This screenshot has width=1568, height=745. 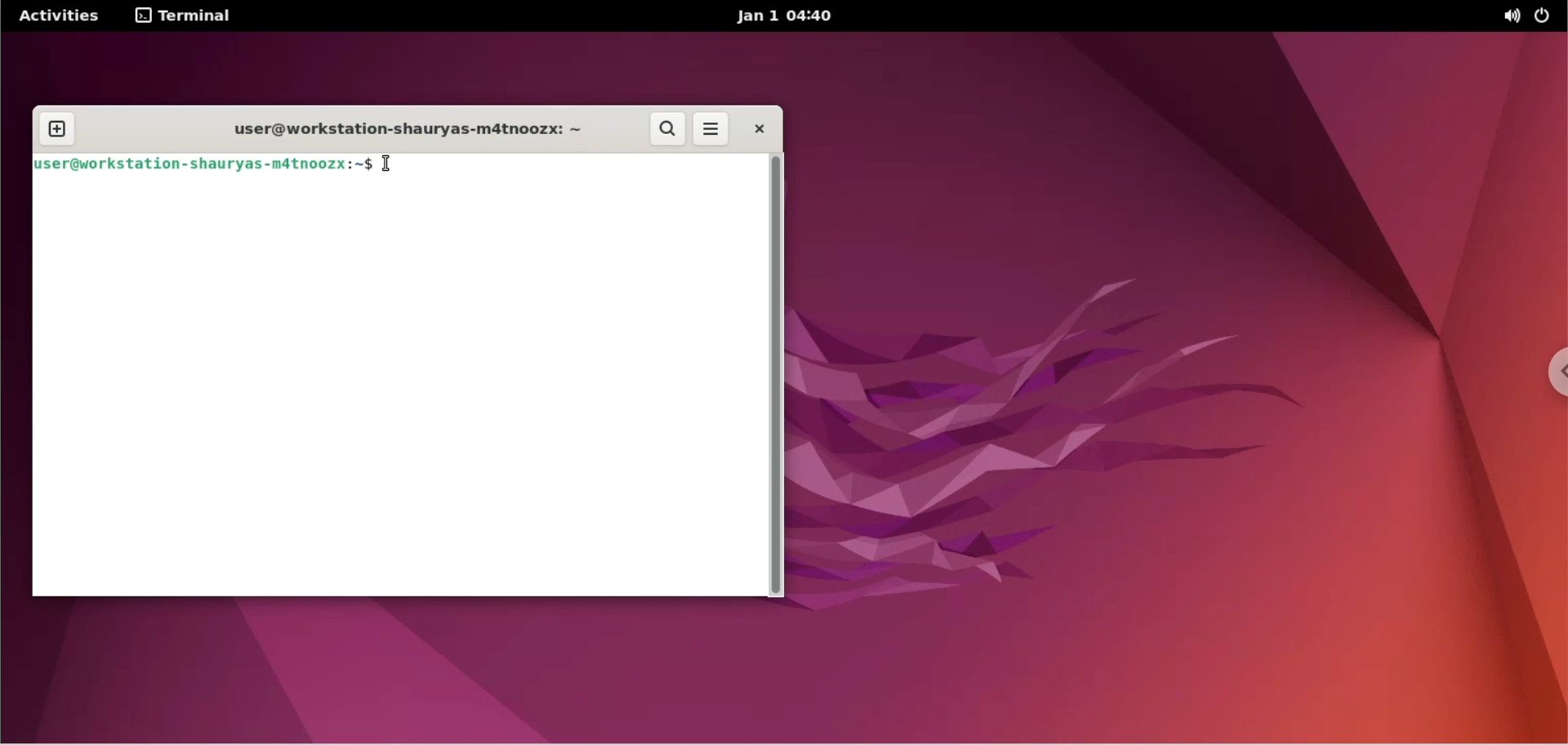 What do you see at coordinates (782, 17) in the screenshot?
I see `Jan 1 04:40` at bounding box center [782, 17].